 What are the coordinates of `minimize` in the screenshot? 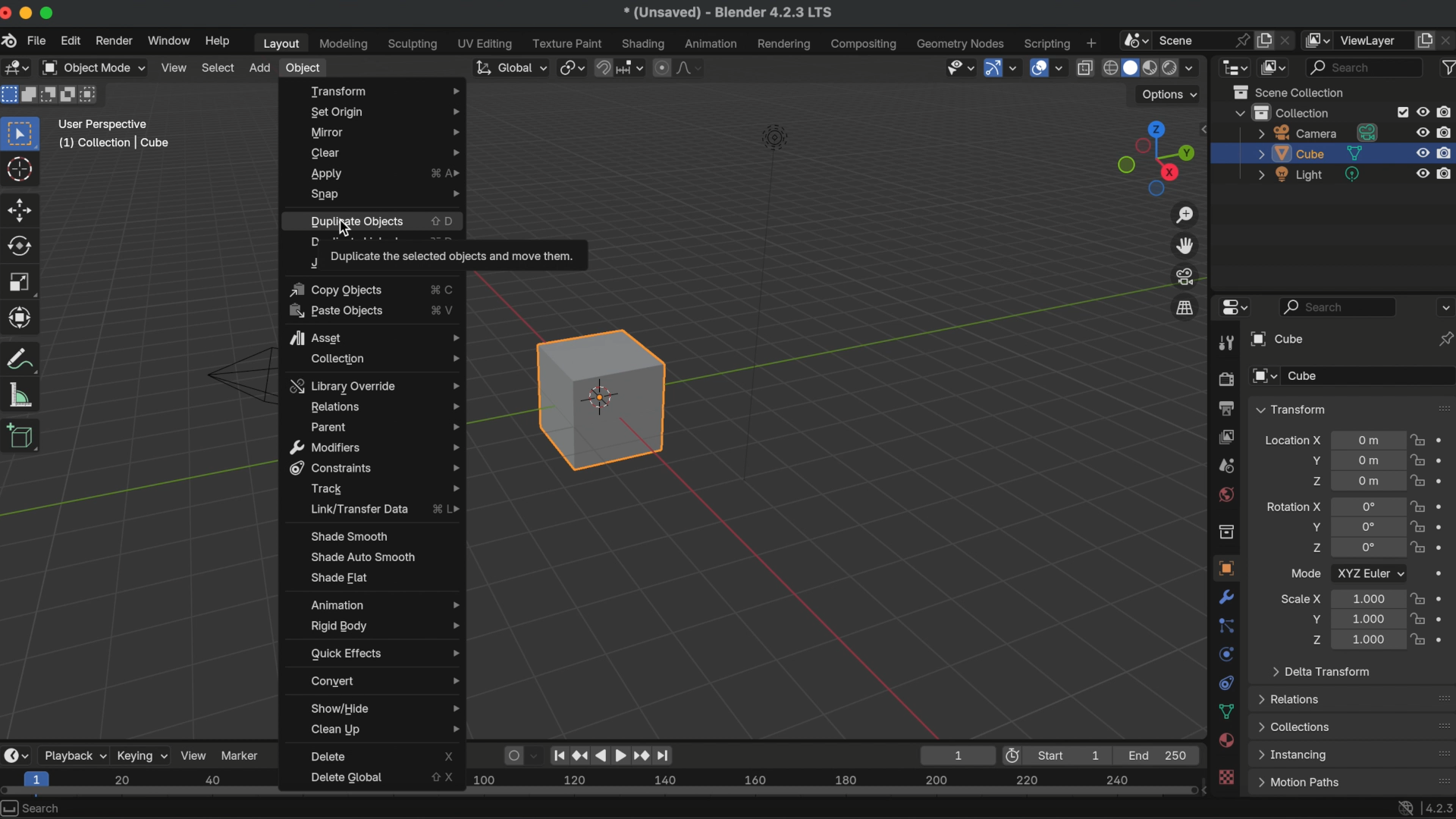 It's located at (29, 13).